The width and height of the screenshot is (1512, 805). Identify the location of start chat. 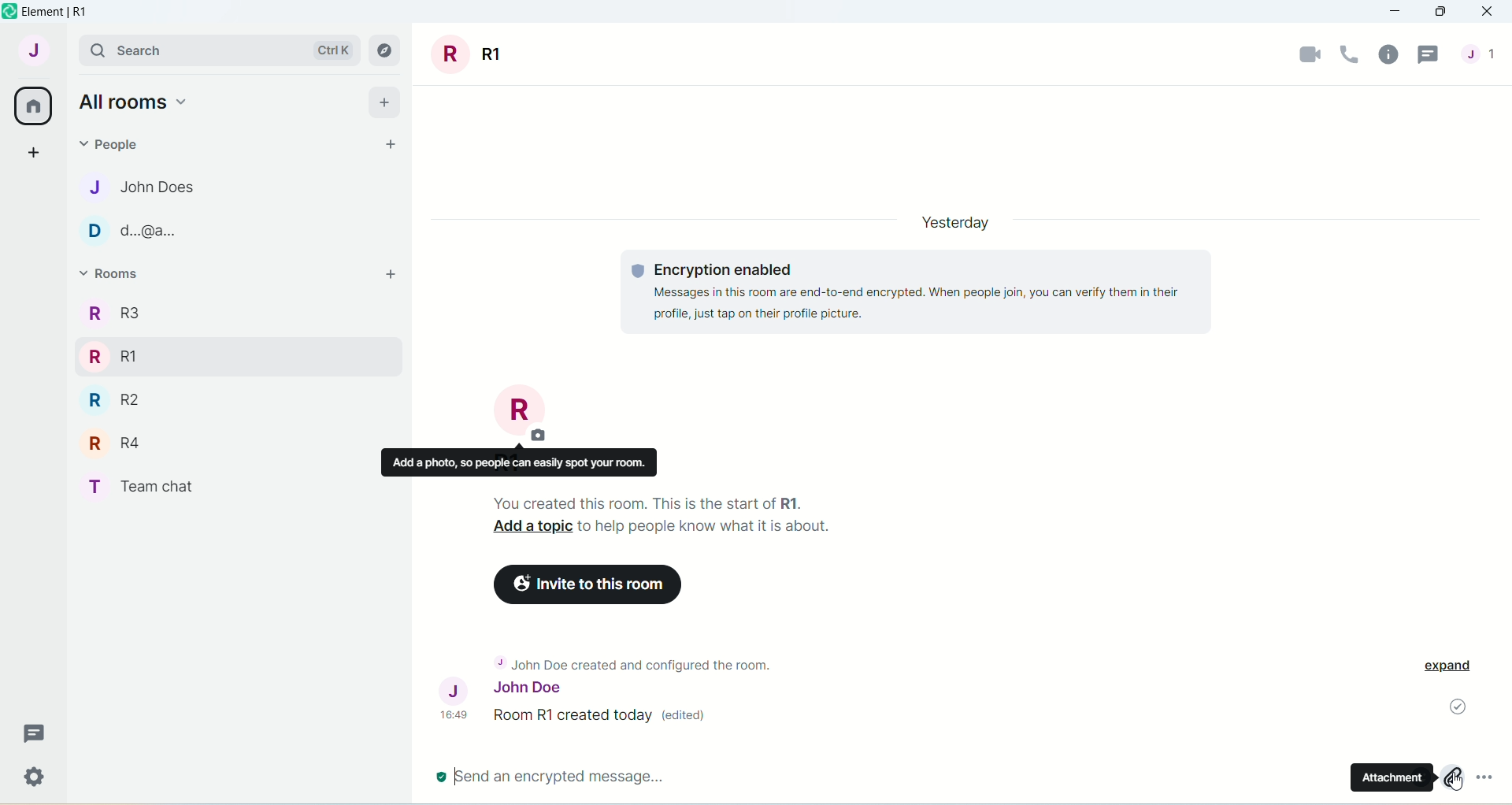
(393, 143).